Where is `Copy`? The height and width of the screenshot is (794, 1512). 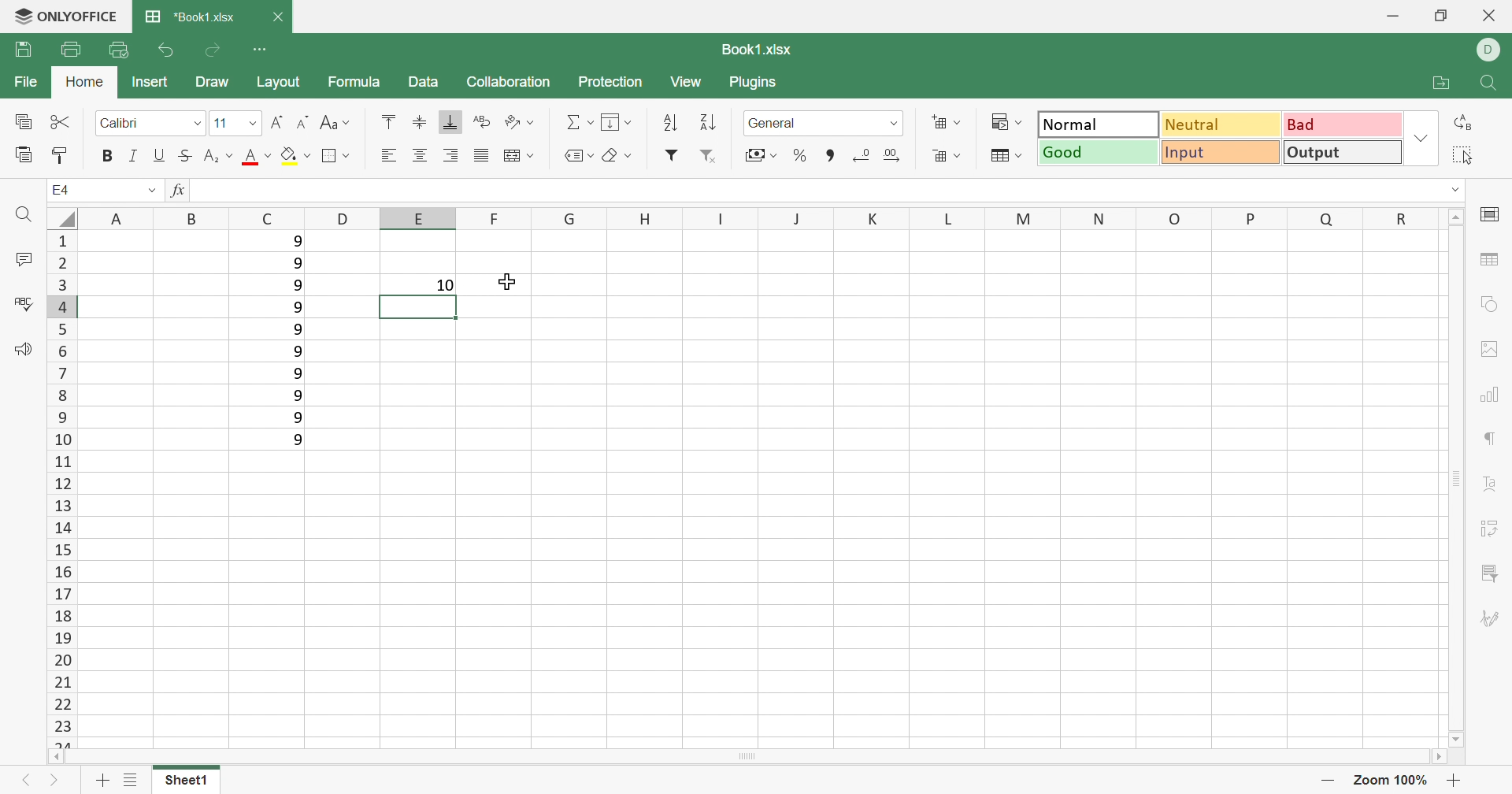
Copy is located at coordinates (25, 123).